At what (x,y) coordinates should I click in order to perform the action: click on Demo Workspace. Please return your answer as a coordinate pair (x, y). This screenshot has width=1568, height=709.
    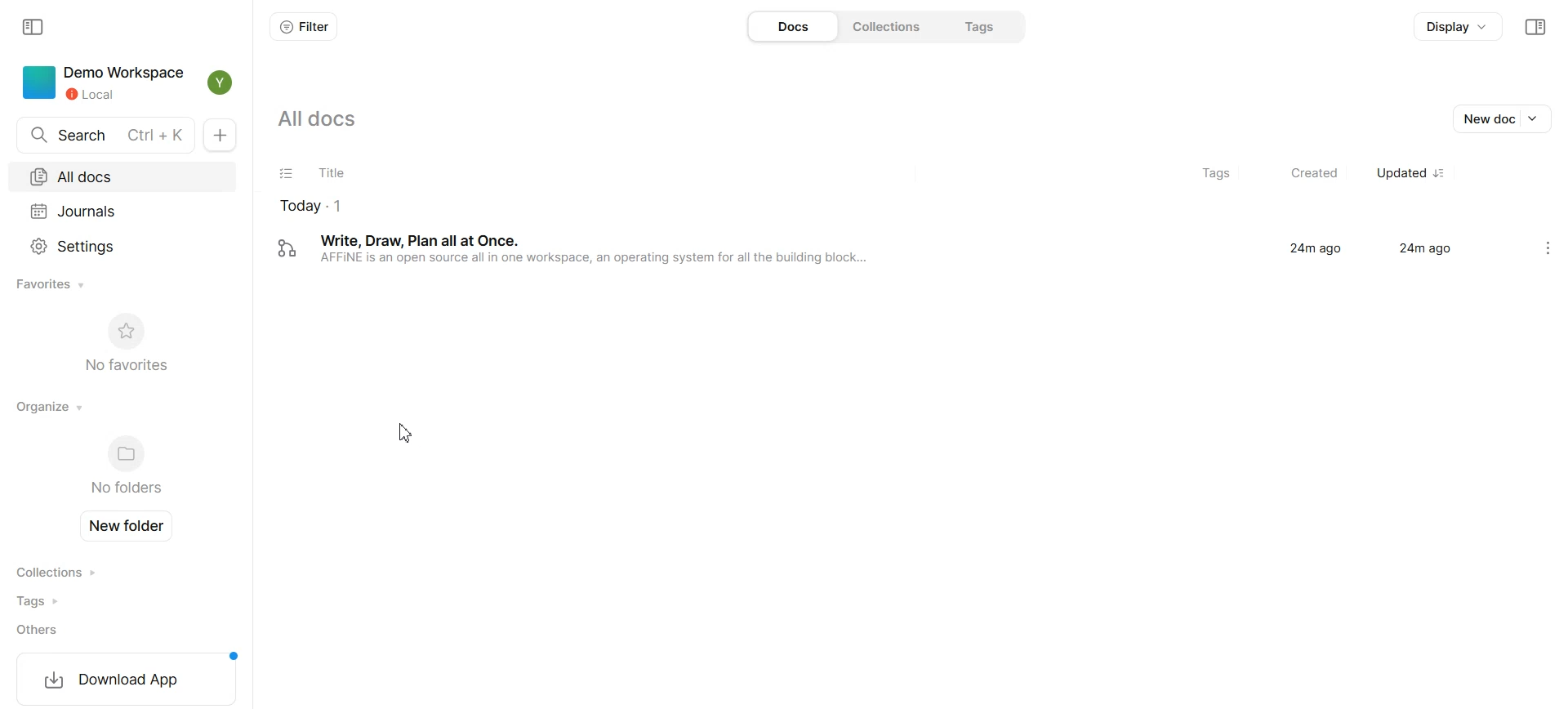
    Looking at the image, I should click on (100, 82).